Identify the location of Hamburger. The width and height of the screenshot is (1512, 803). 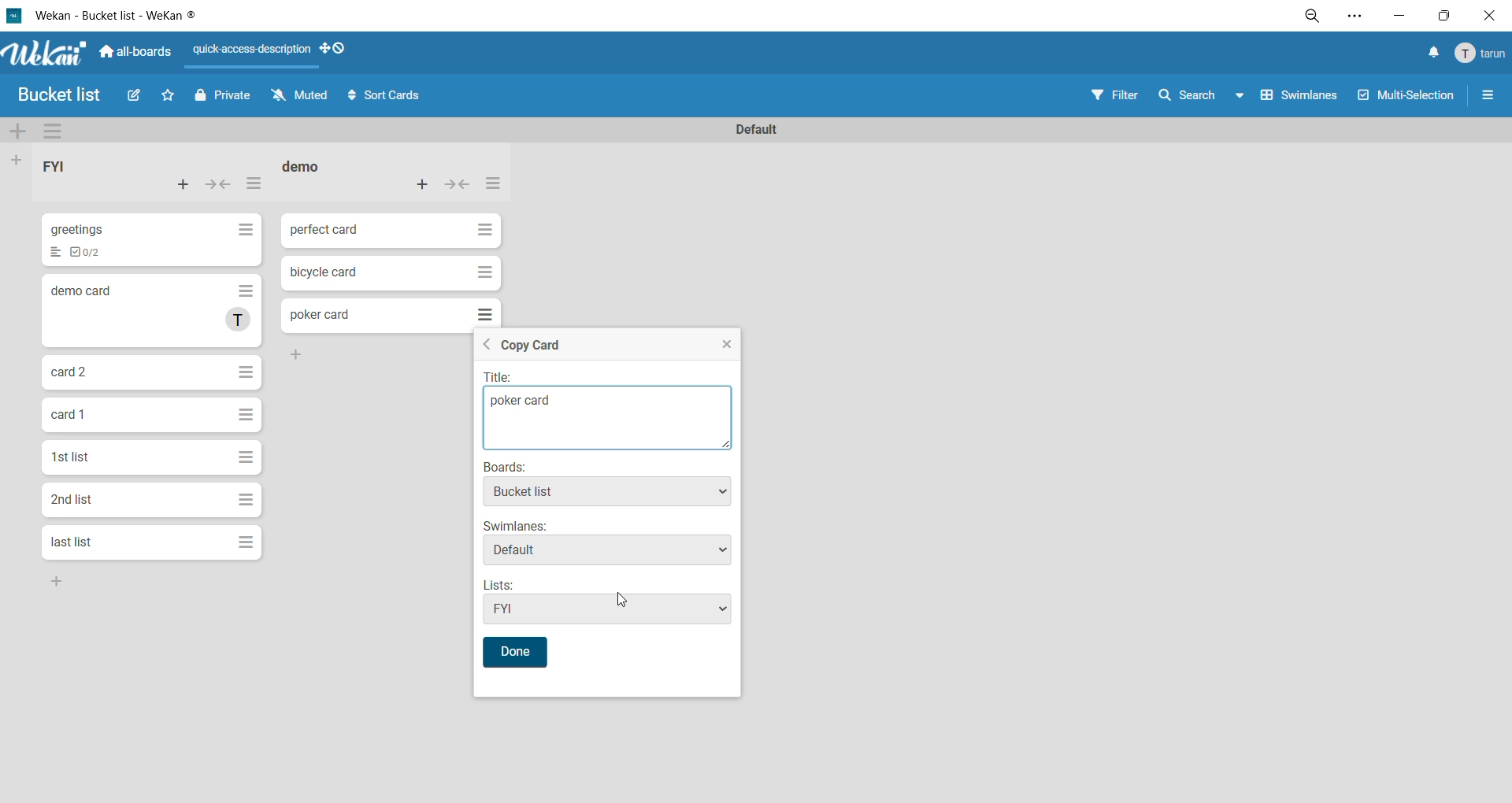
(246, 456).